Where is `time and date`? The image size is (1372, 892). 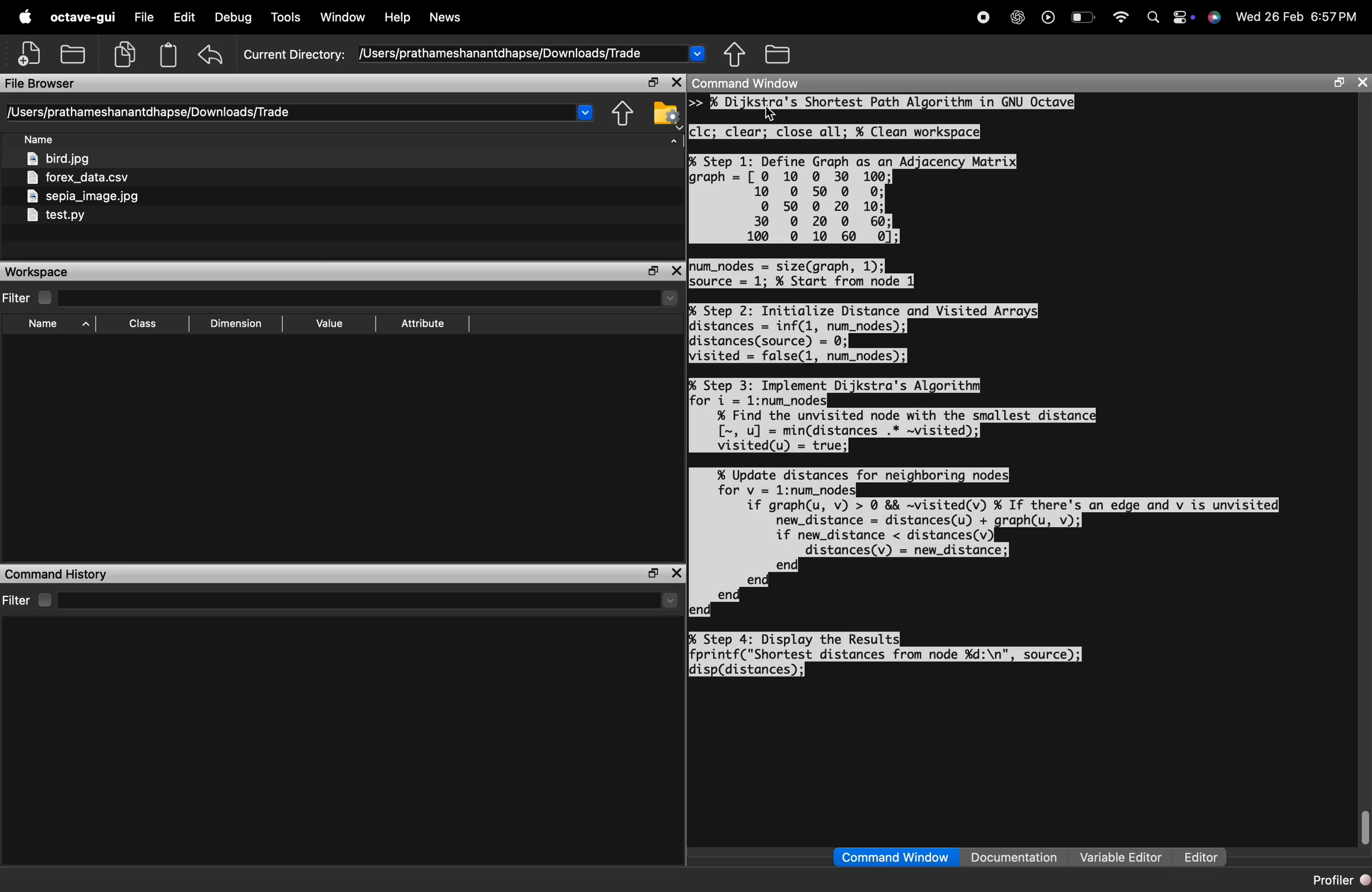 time and date is located at coordinates (1300, 17).